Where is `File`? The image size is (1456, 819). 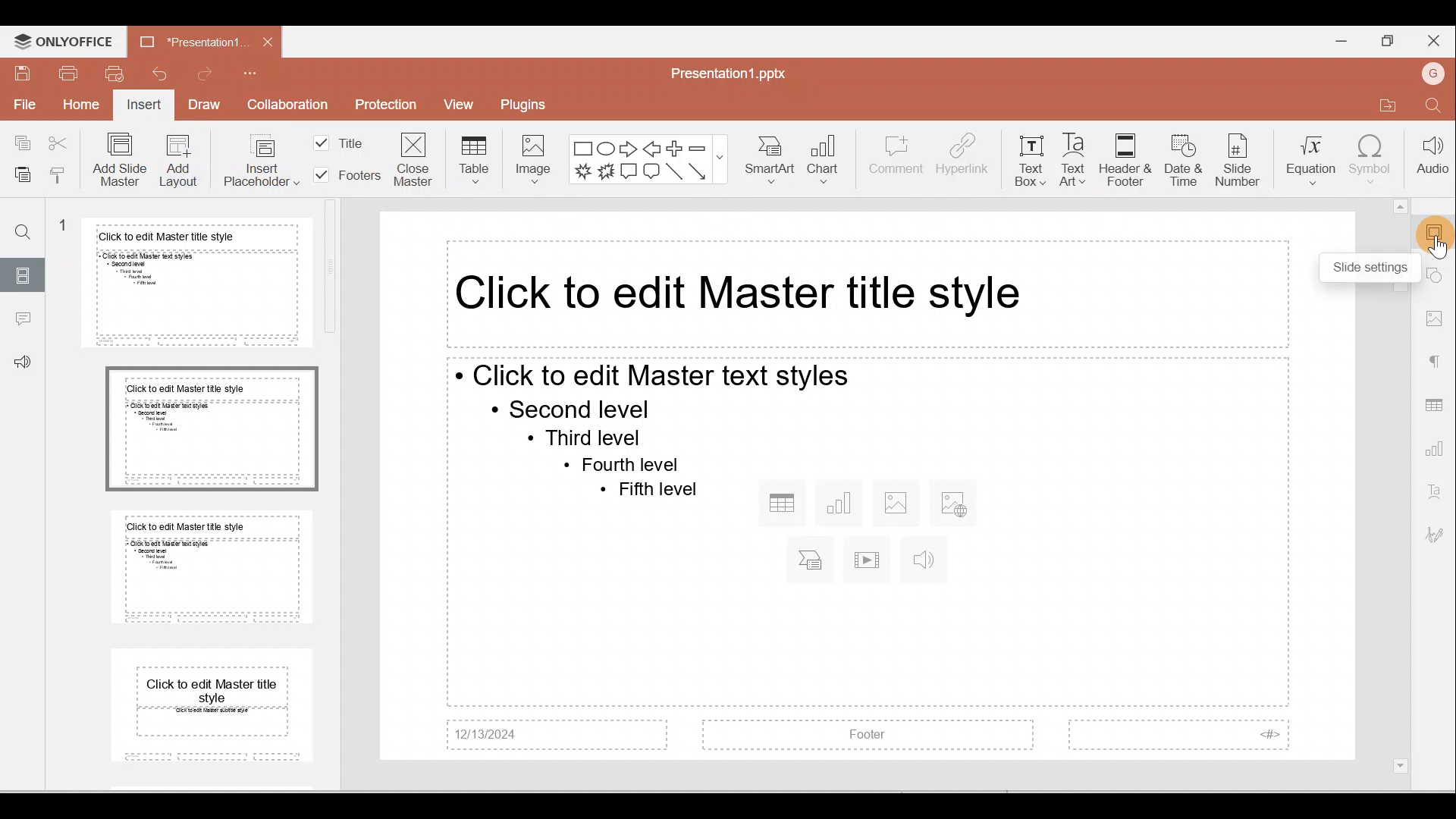 File is located at coordinates (23, 106).